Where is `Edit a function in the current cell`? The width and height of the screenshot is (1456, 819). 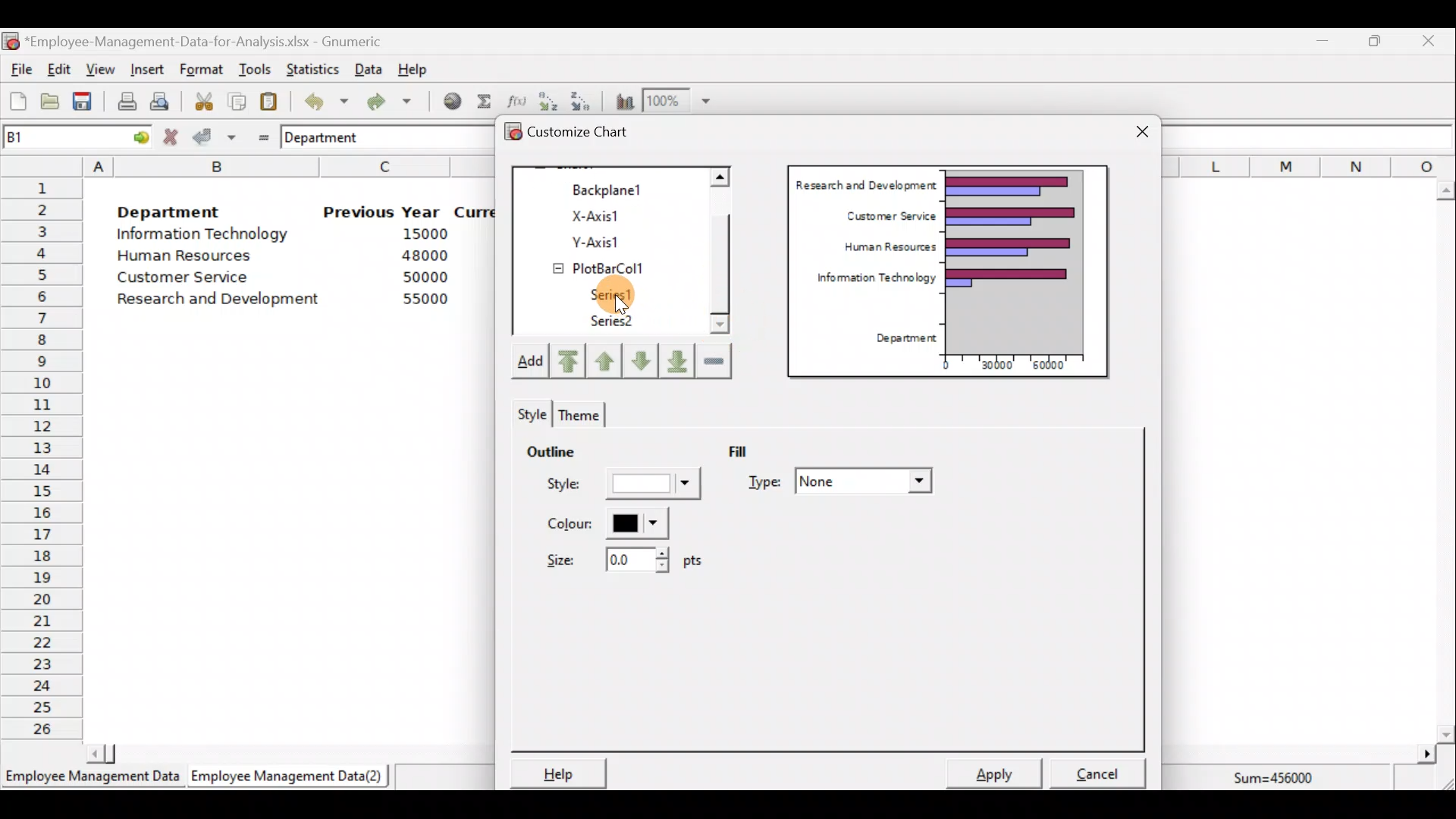 Edit a function in the current cell is located at coordinates (516, 100).